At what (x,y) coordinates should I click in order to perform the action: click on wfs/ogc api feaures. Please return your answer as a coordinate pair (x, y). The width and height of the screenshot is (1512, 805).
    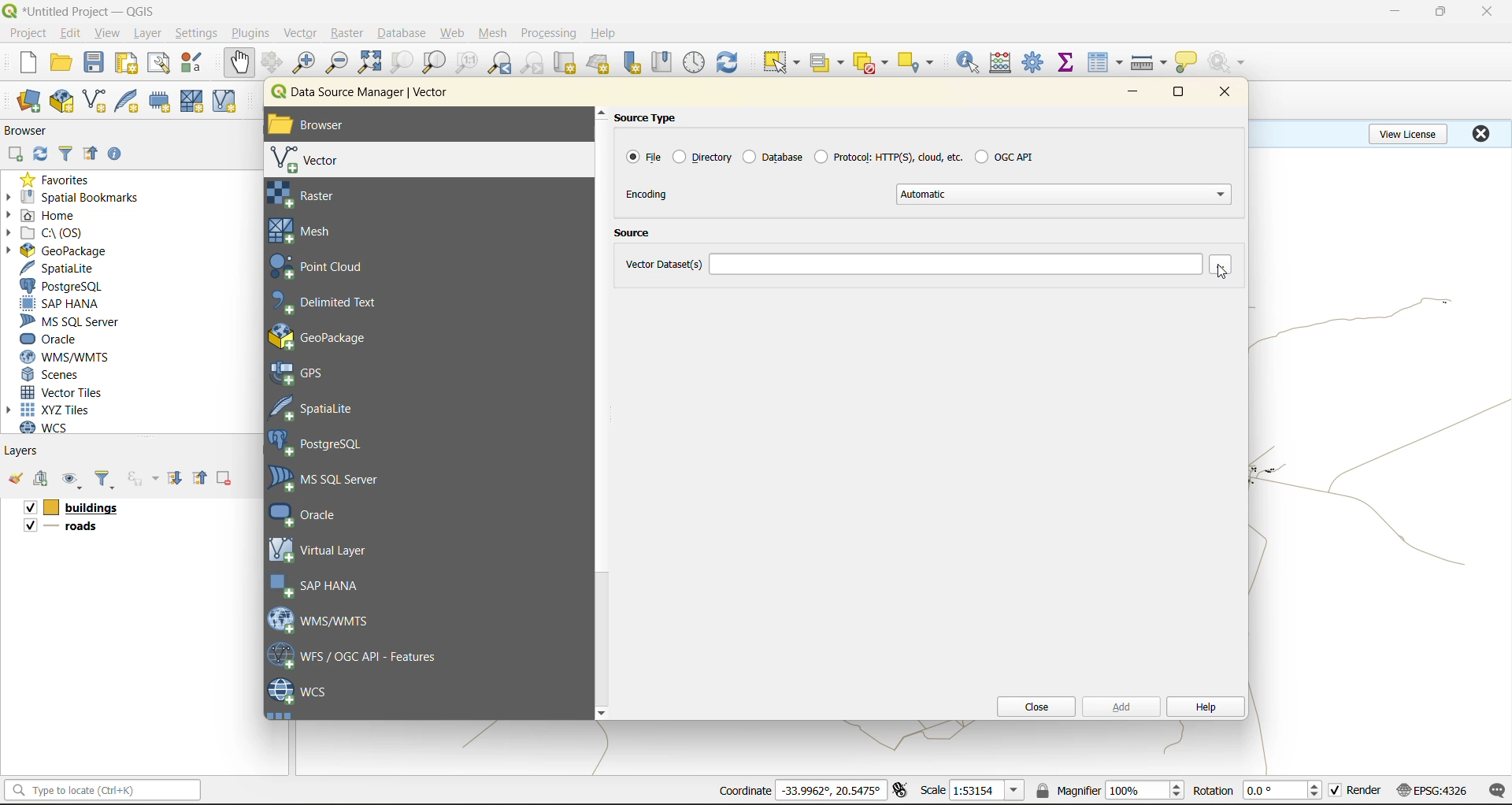
    Looking at the image, I should click on (361, 655).